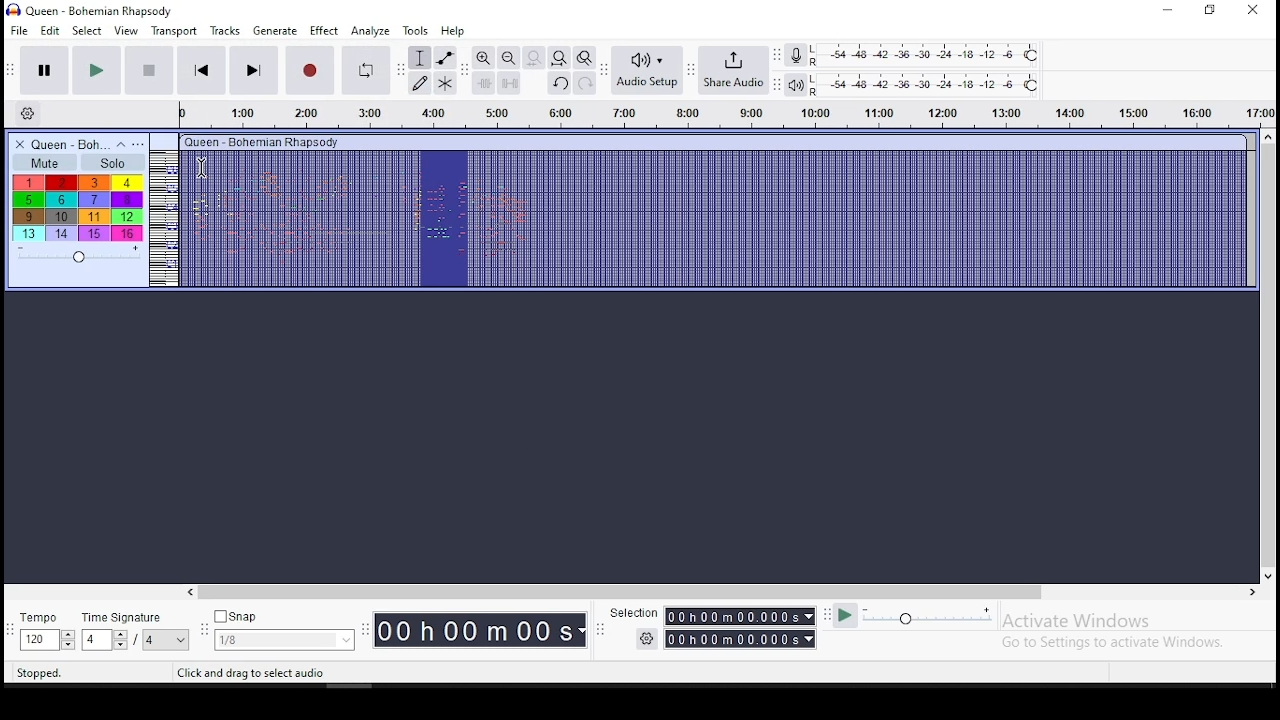  Describe the element at coordinates (796, 54) in the screenshot. I see `recording level` at that location.